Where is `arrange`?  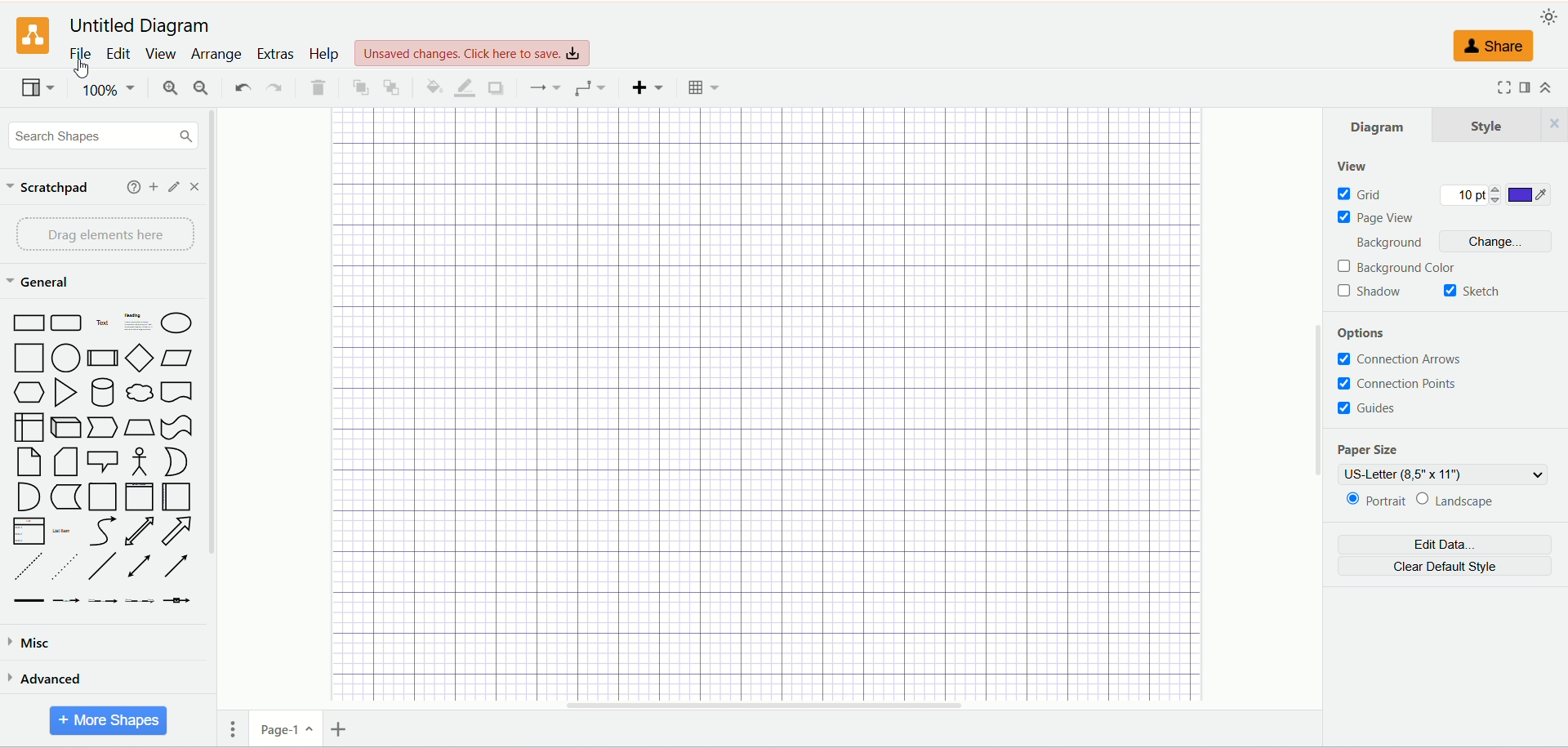 arrange is located at coordinates (216, 55).